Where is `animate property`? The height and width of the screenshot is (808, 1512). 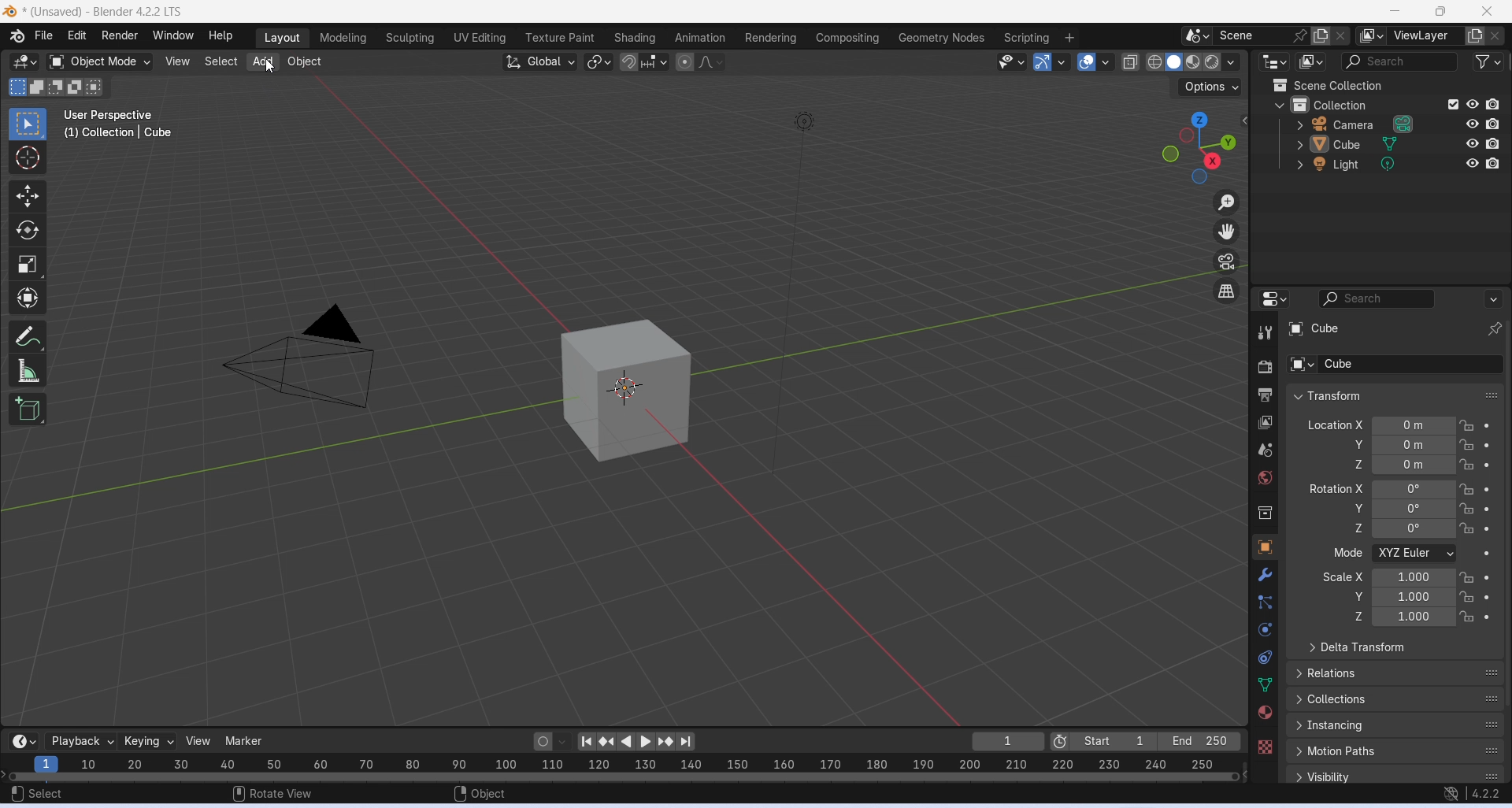 animate property is located at coordinates (1488, 465).